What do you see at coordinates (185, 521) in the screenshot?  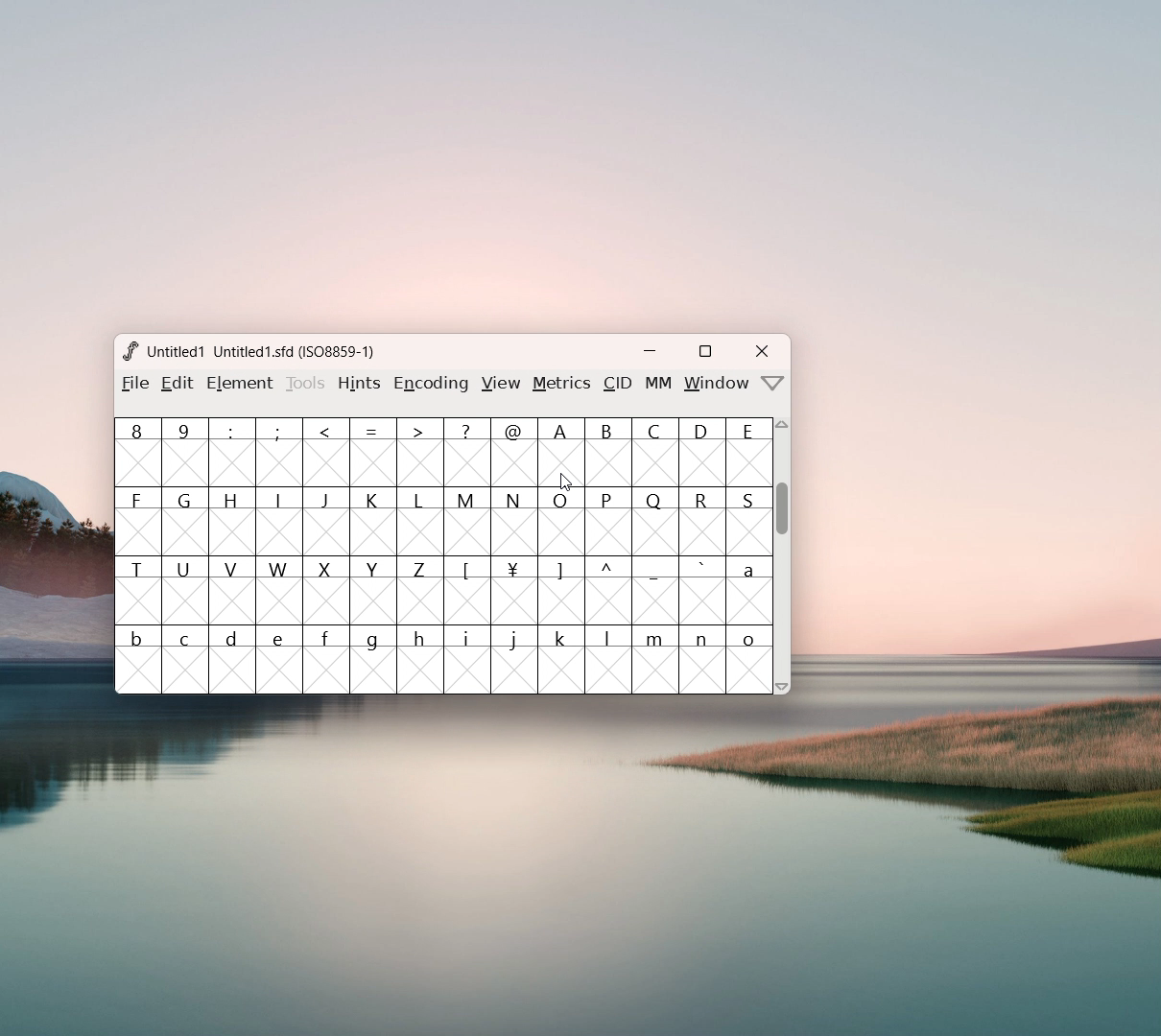 I see `G` at bounding box center [185, 521].